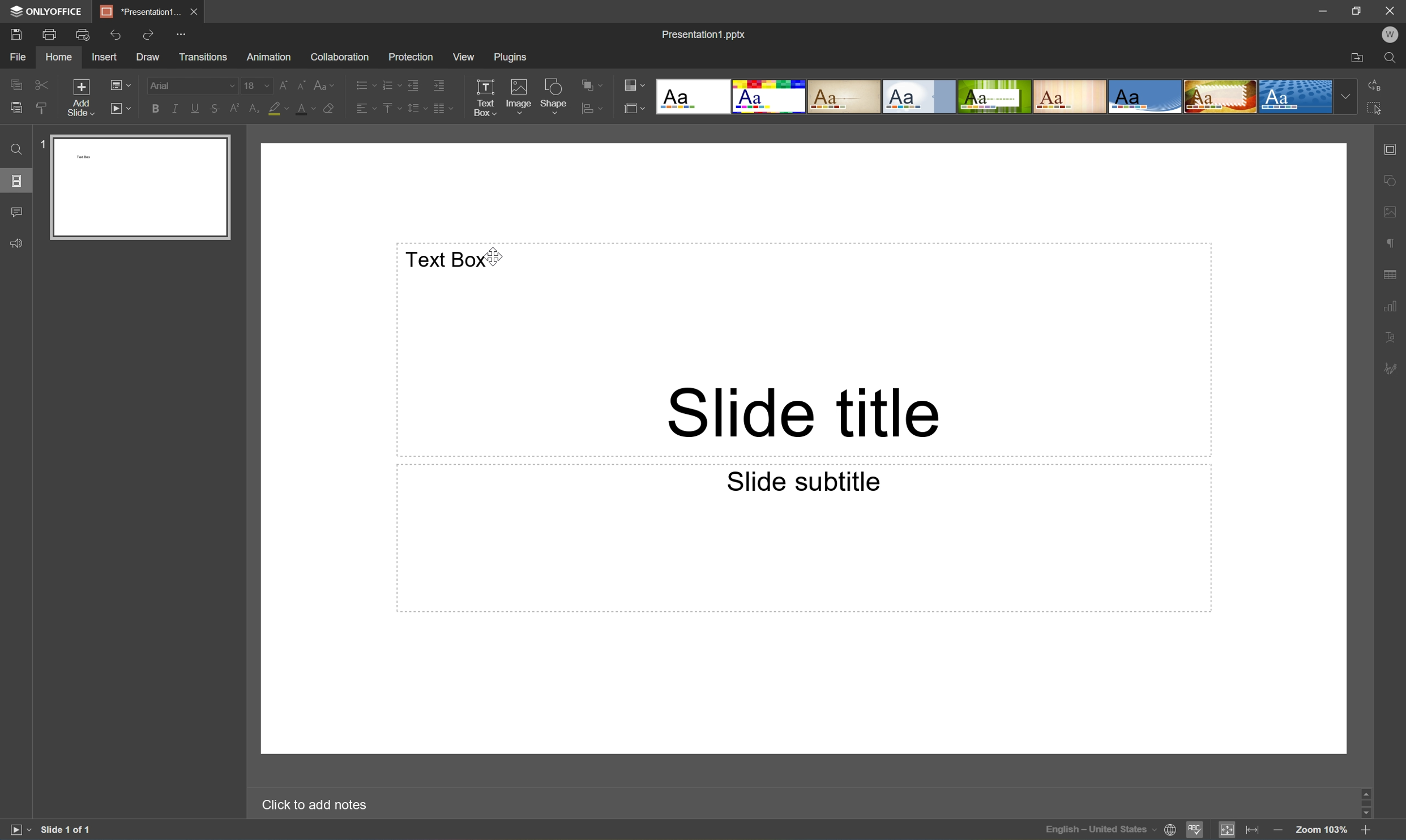 This screenshot has height=840, width=1406. What do you see at coordinates (148, 33) in the screenshot?
I see `Redo` at bounding box center [148, 33].